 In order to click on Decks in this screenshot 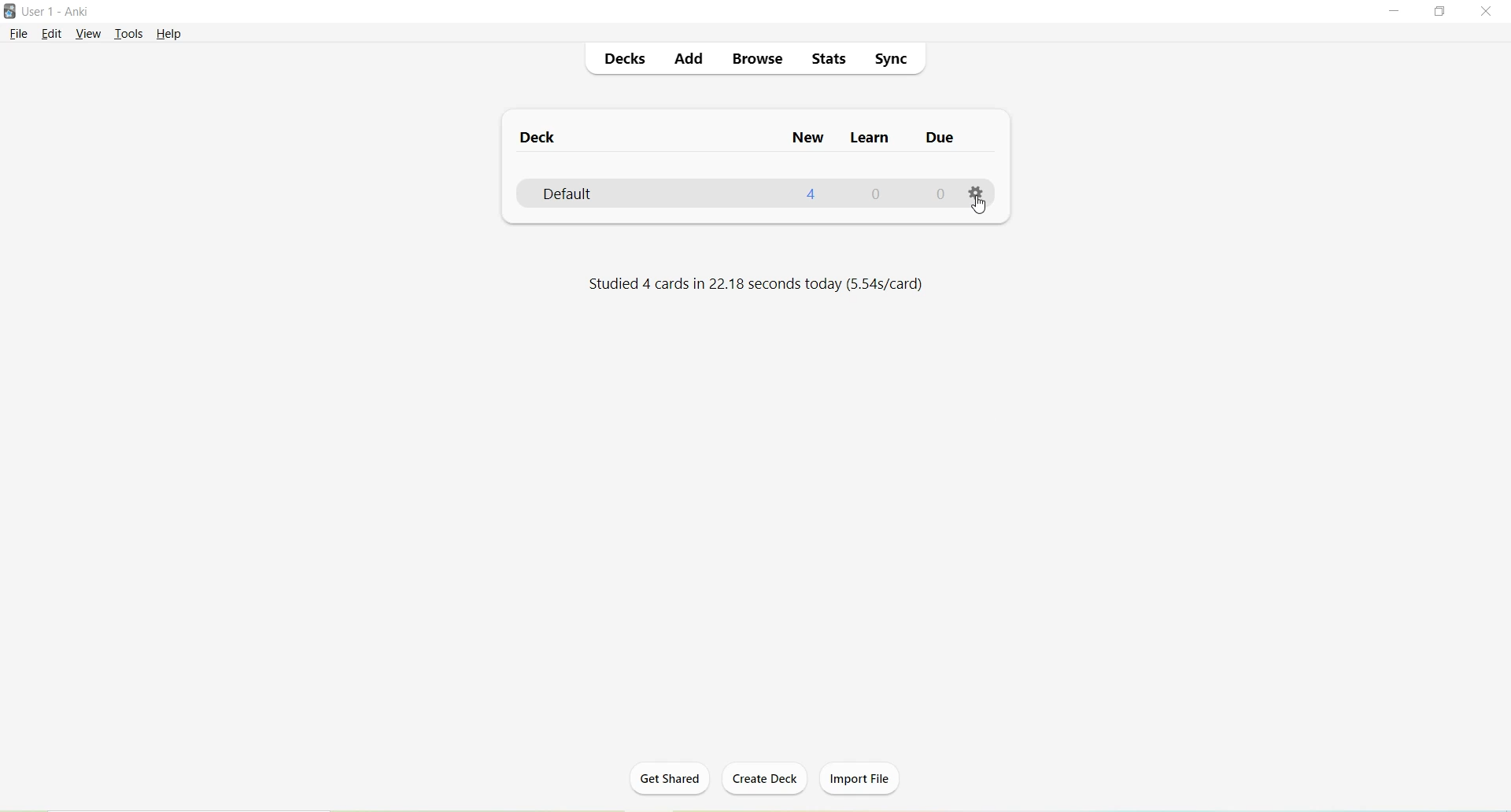, I will do `click(624, 60)`.